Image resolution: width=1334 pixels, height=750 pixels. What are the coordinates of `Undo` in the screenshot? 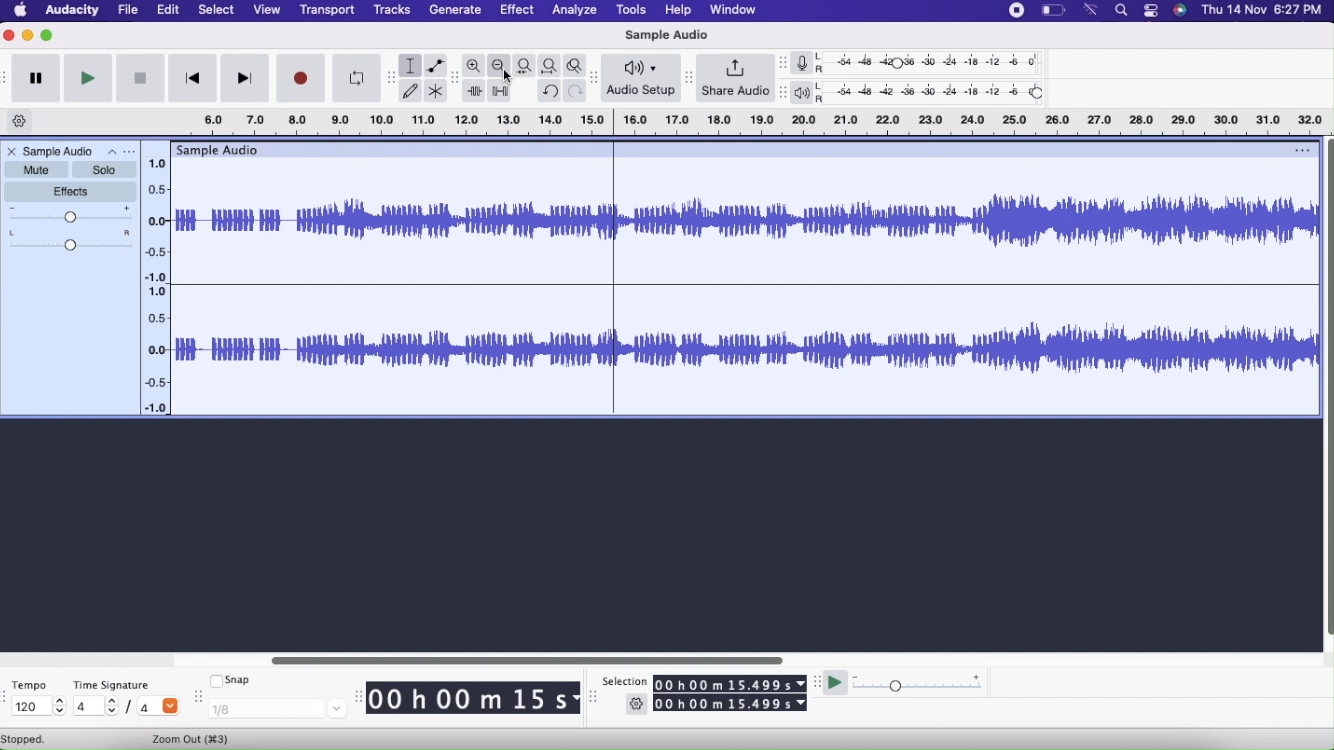 It's located at (549, 91).